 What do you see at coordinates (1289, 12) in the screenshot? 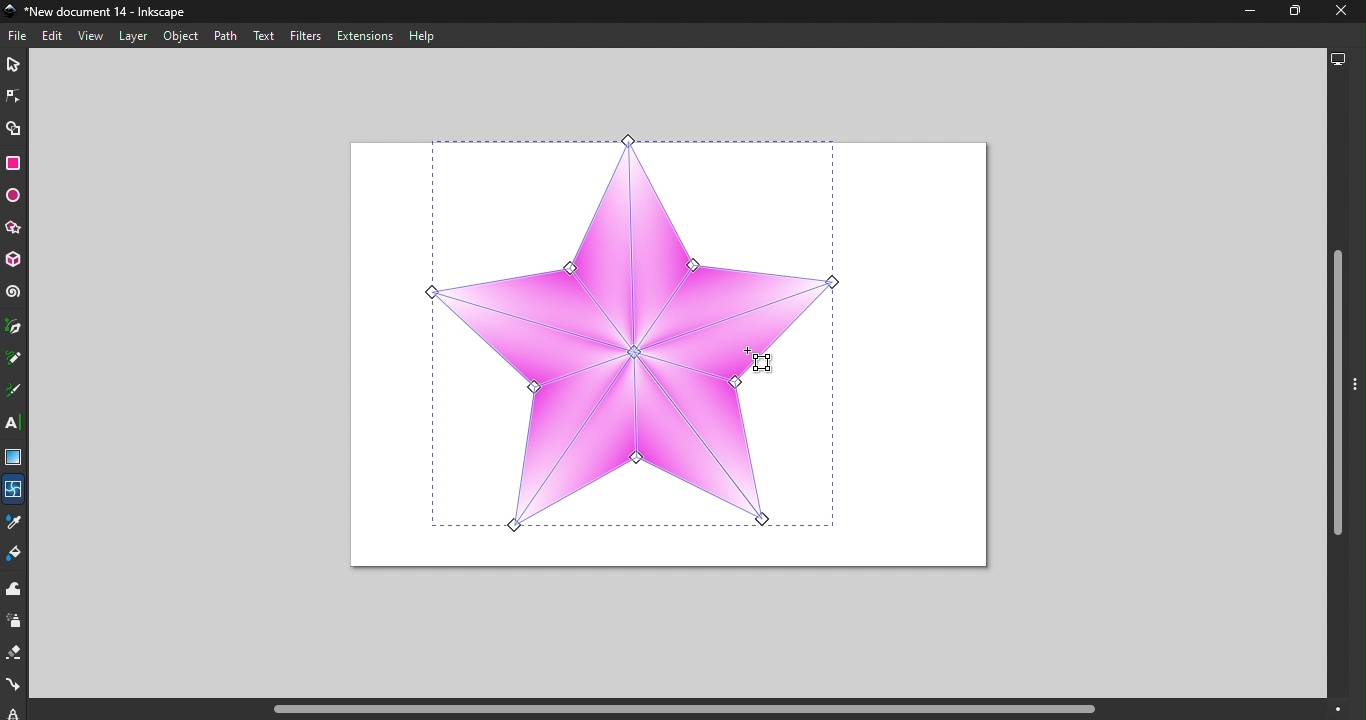
I see `Maximize` at bounding box center [1289, 12].